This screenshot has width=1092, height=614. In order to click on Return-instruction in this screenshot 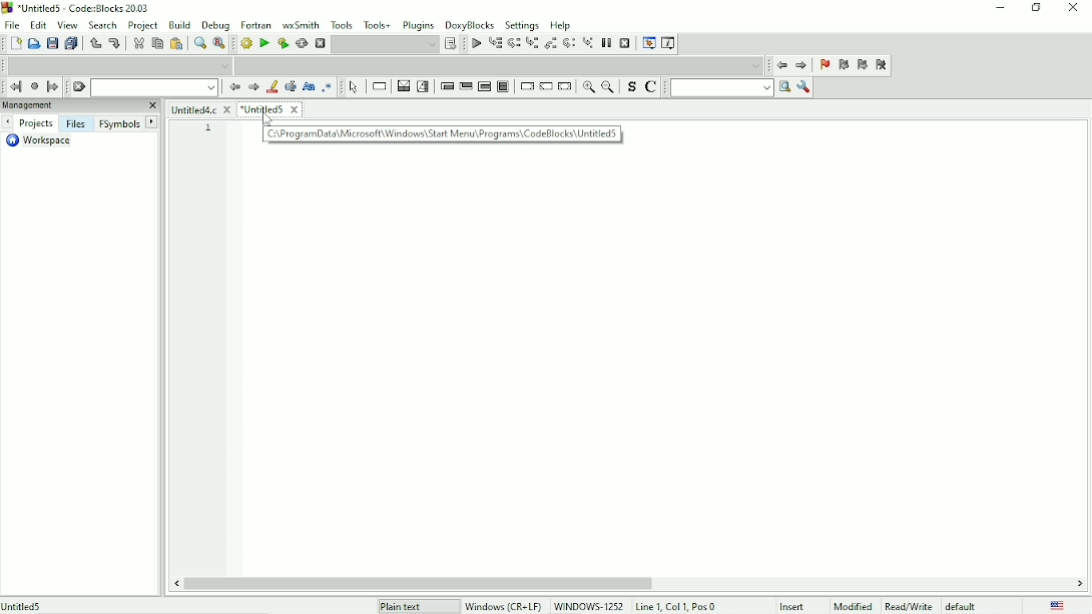, I will do `click(565, 86)`.